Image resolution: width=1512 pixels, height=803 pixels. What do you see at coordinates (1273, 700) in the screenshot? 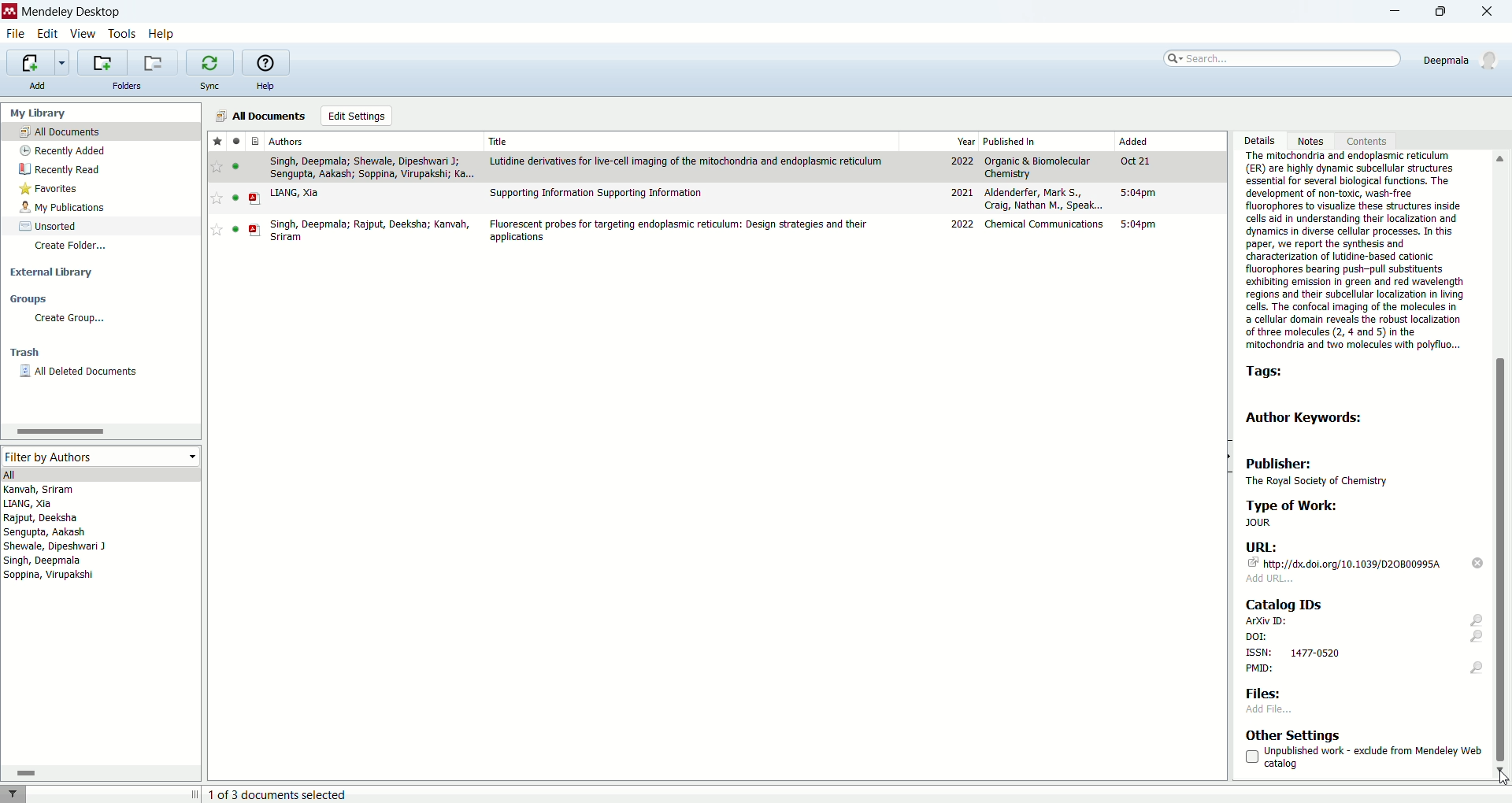
I see `Files: add file` at bounding box center [1273, 700].